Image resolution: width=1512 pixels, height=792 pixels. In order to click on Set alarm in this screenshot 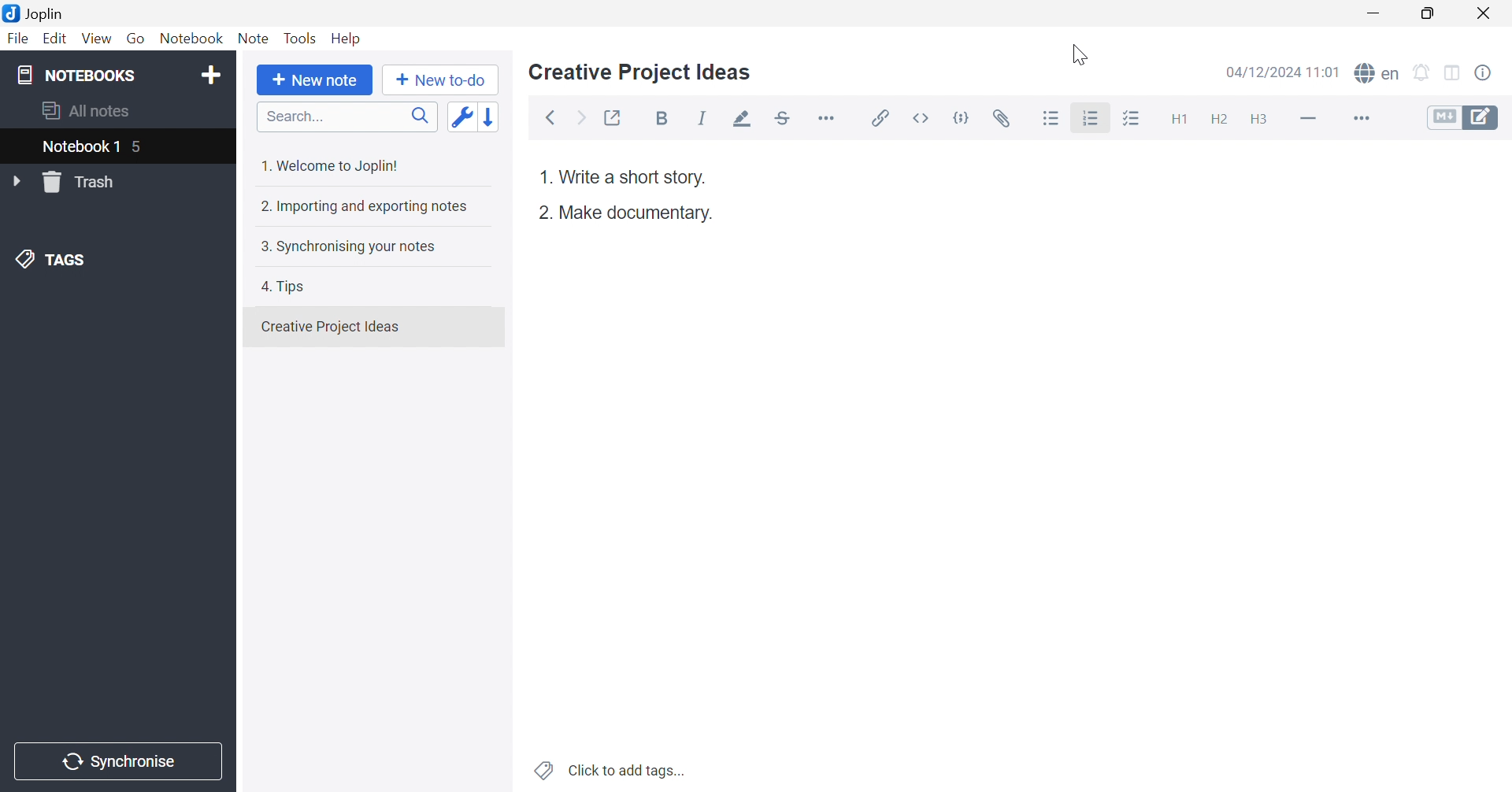, I will do `click(1423, 72)`.